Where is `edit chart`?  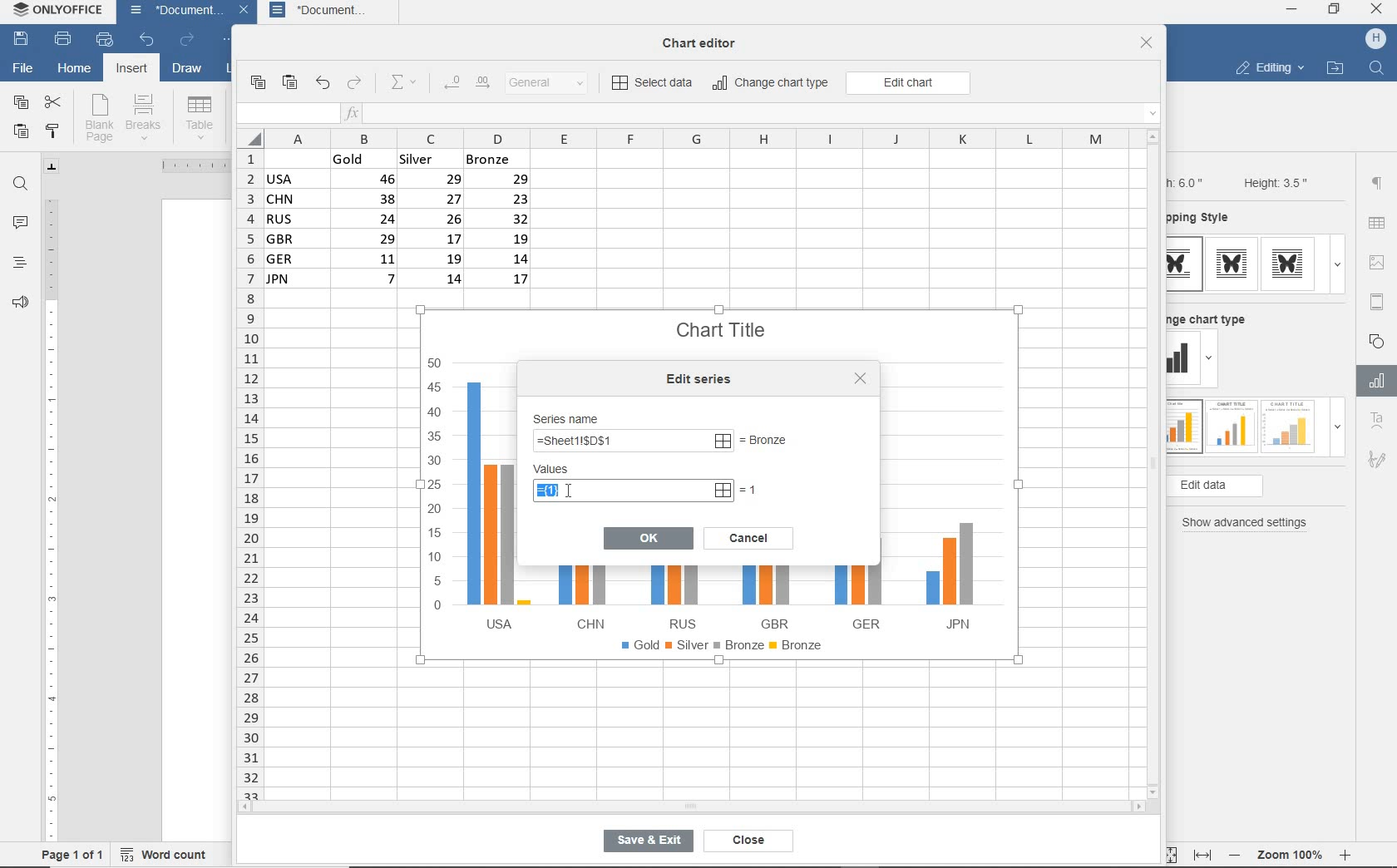
edit chart is located at coordinates (908, 83).